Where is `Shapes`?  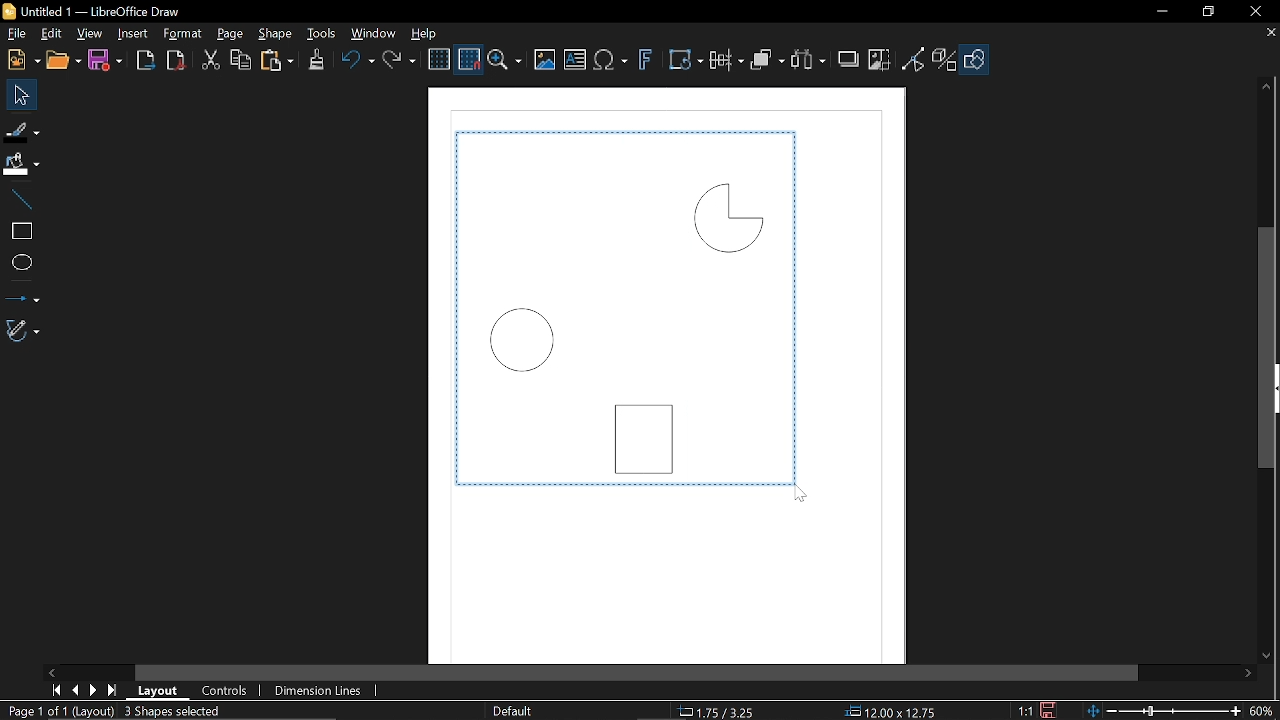
Shapes is located at coordinates (978, 60).